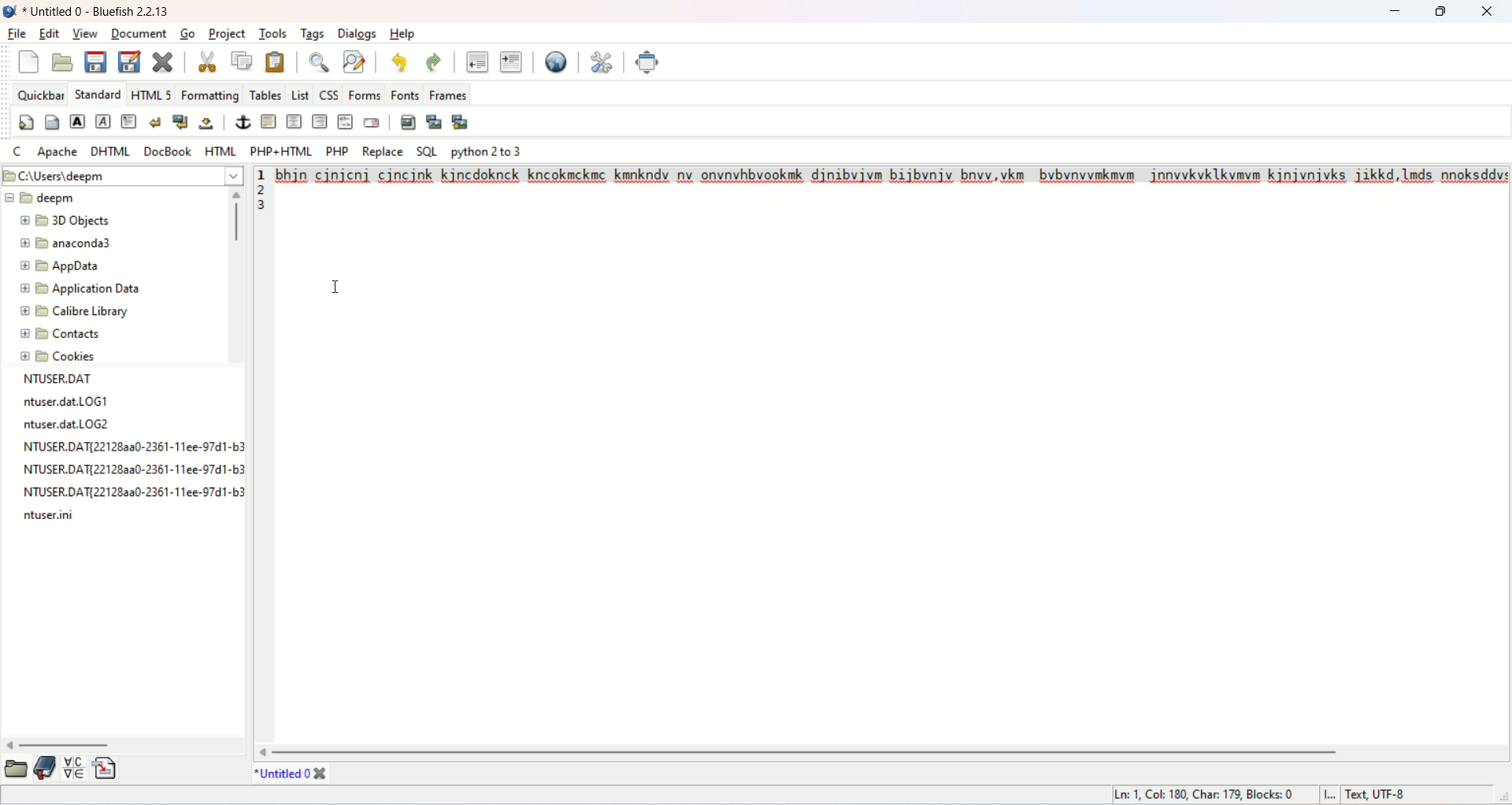 The image size is (1512, 805). Describe the element at coordinates (27, 61) in the screenshot. I see `new` at that location.